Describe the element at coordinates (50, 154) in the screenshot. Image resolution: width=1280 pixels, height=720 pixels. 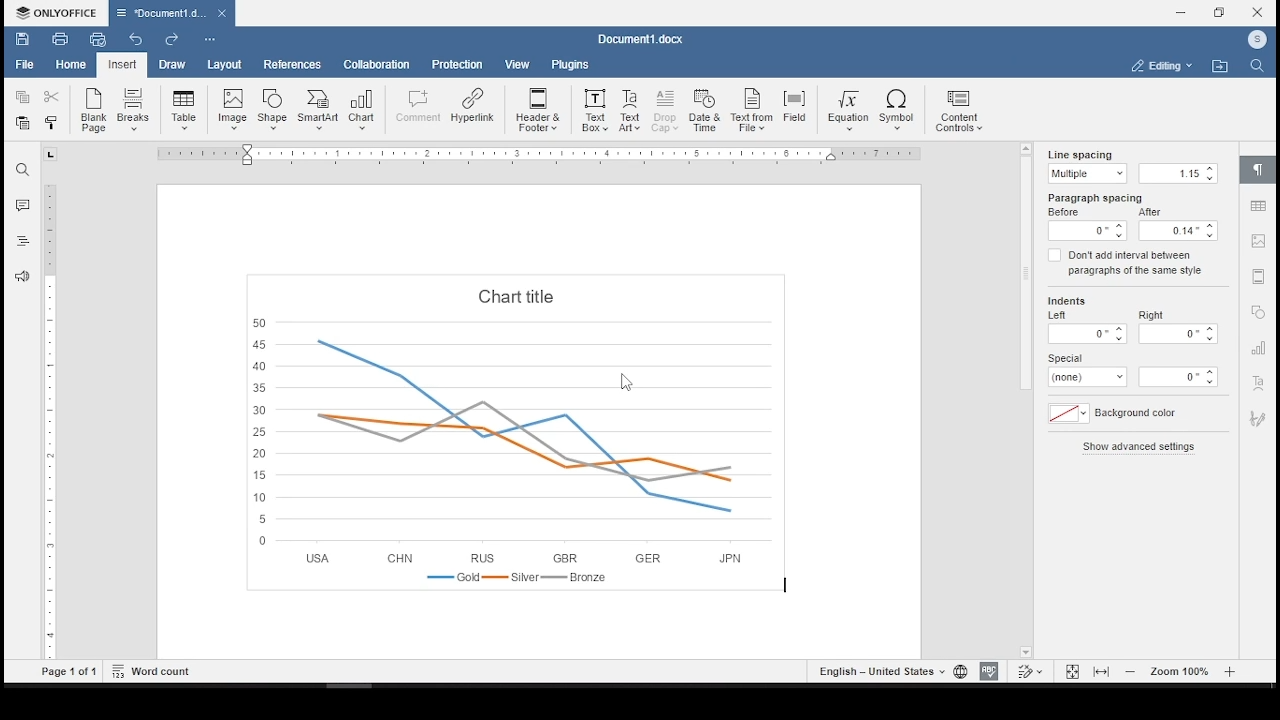
I see `tab stop` at that location.